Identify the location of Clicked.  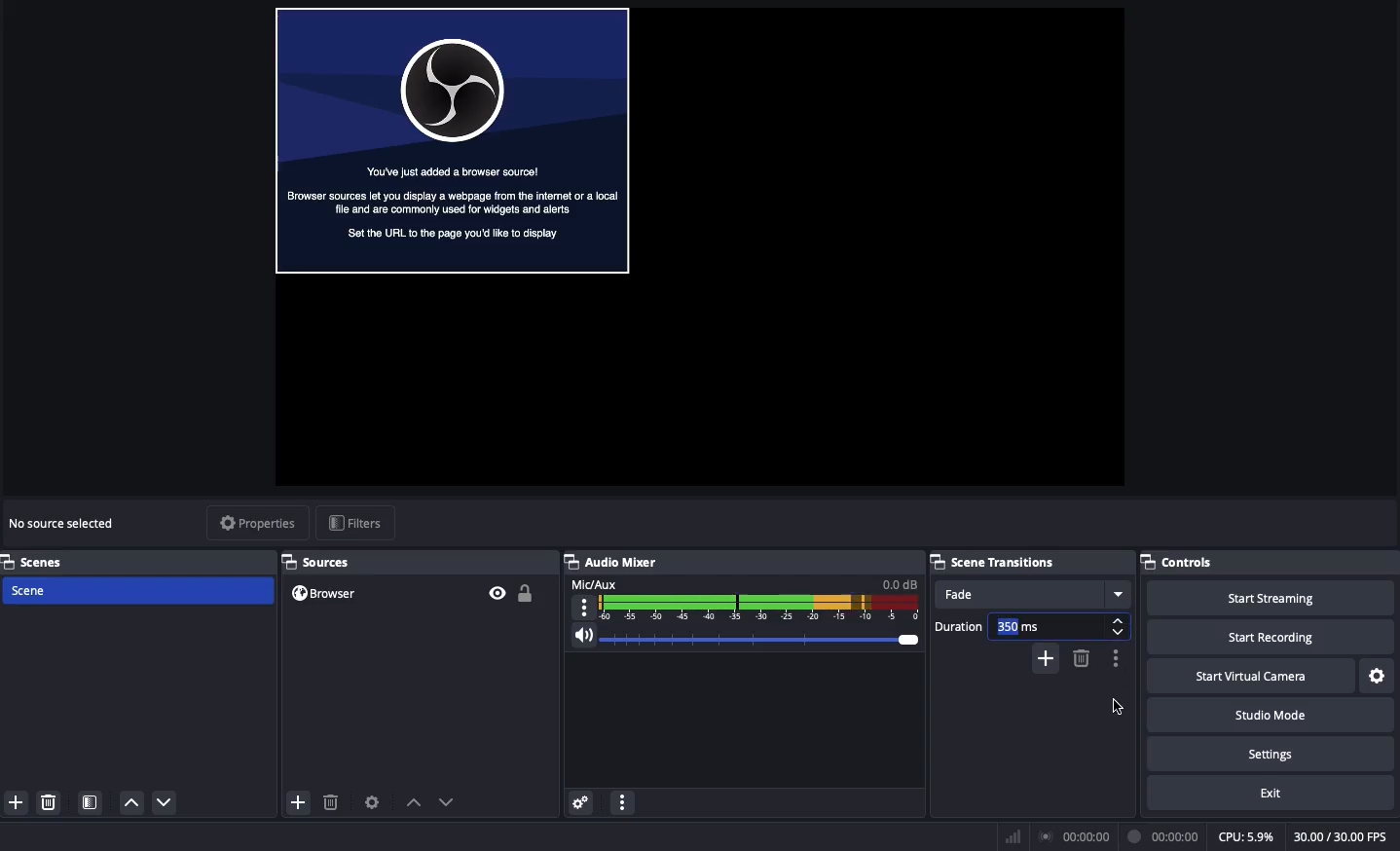
(1118, 702).